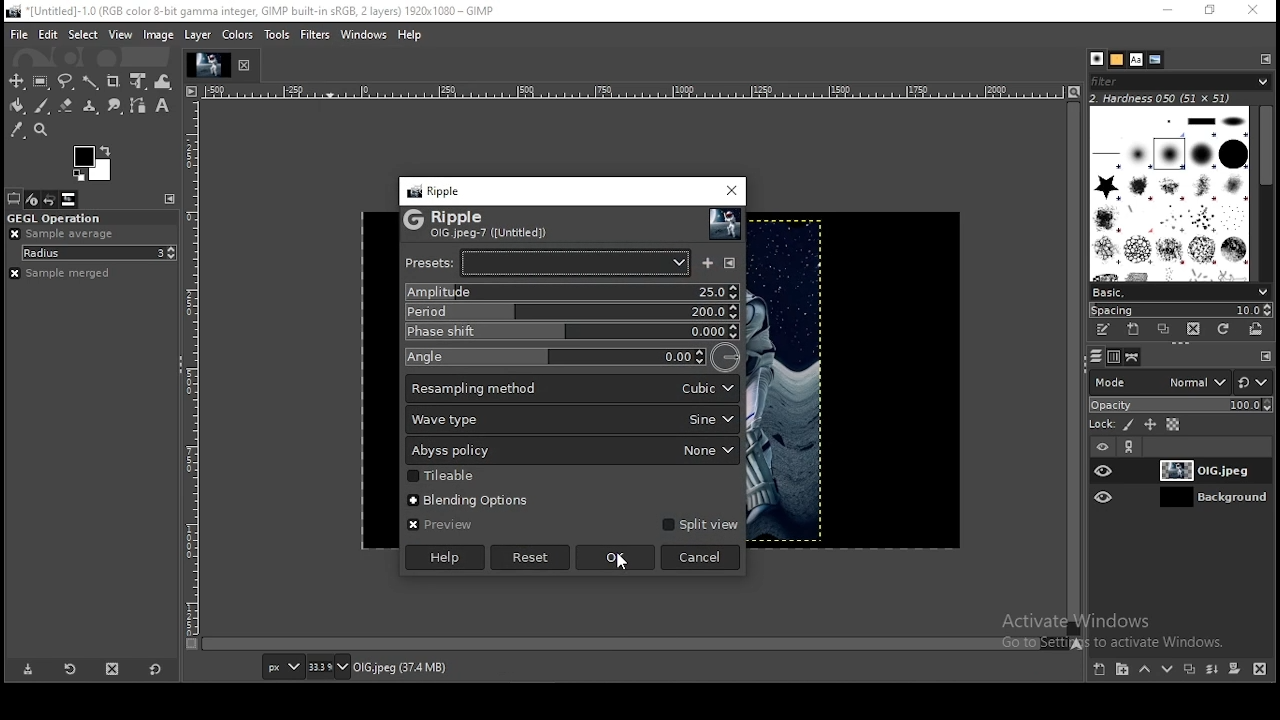 Image resolution: width=1280 pixels, height=720 pixels. I want to click on windows, so click(363, 35).